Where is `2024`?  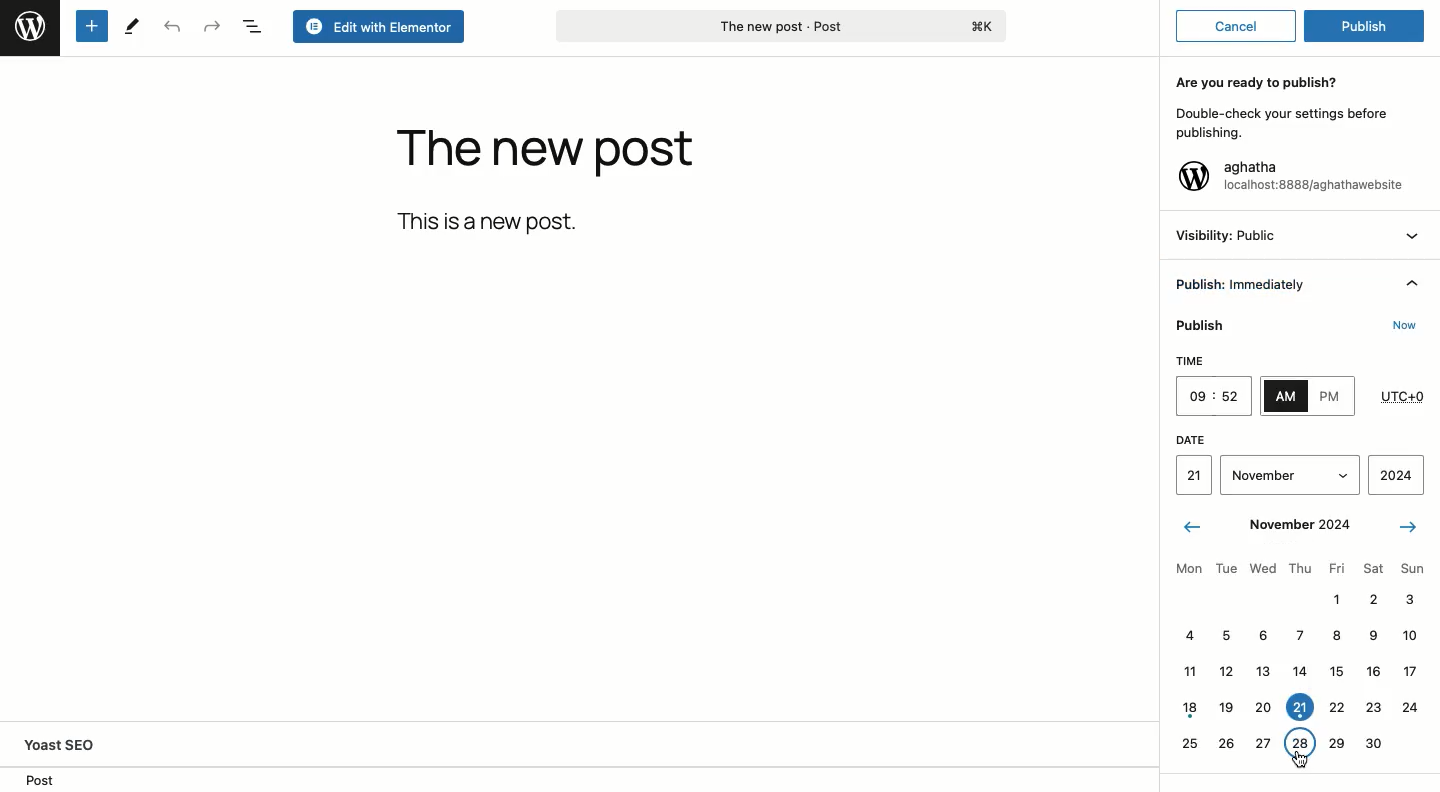 2024 is located at coordinates (1397, 477).